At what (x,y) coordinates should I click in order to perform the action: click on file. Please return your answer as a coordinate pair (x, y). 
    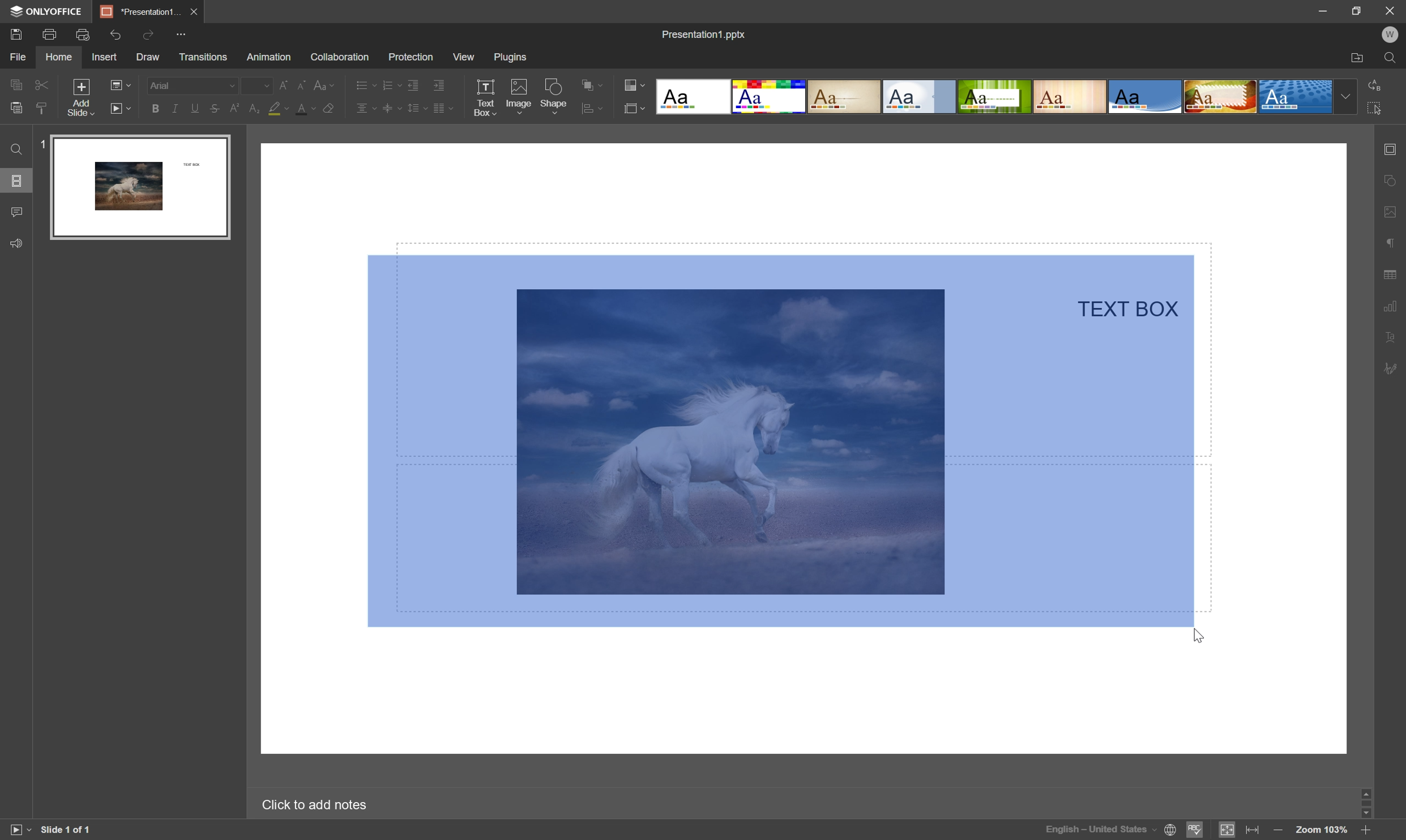
    Looking at the image, I should click on (15, 57).